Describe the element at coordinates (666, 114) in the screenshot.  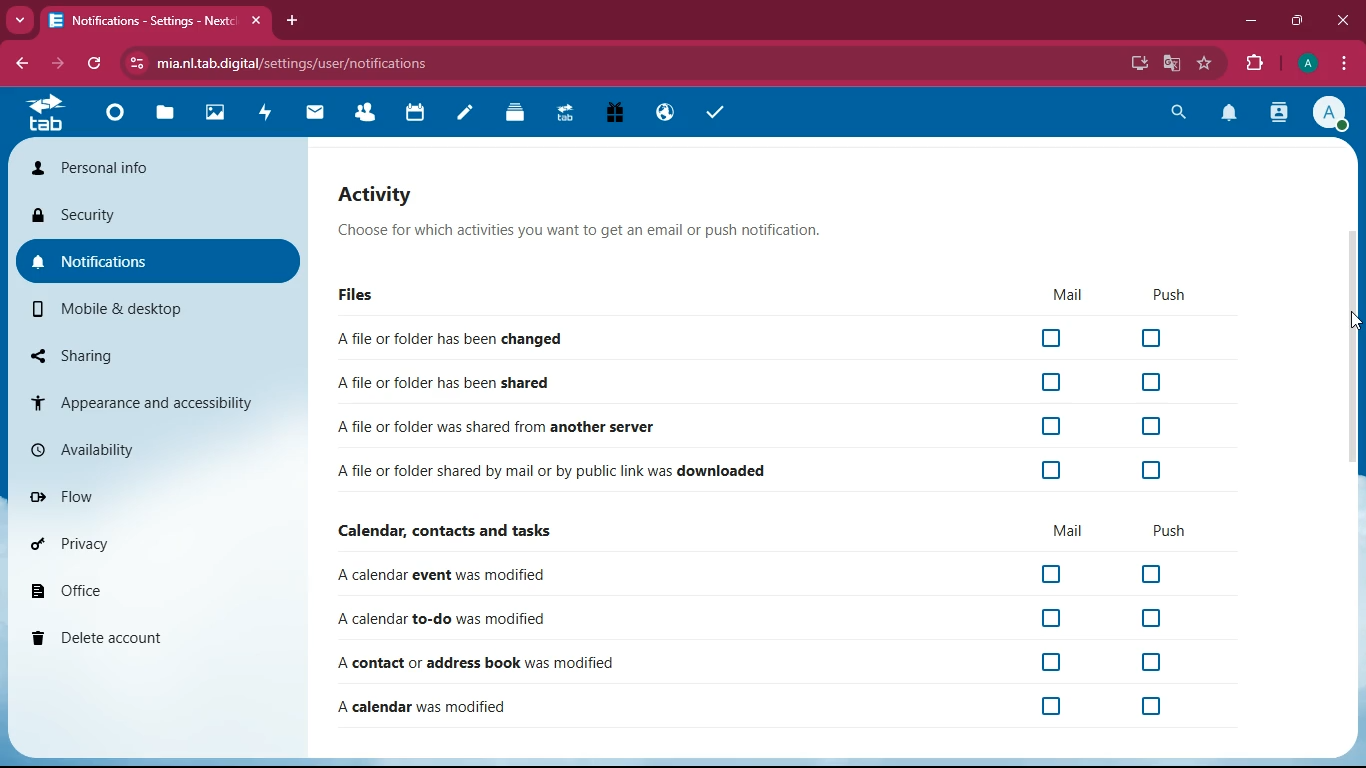
I see `Email Hosting` at that location.